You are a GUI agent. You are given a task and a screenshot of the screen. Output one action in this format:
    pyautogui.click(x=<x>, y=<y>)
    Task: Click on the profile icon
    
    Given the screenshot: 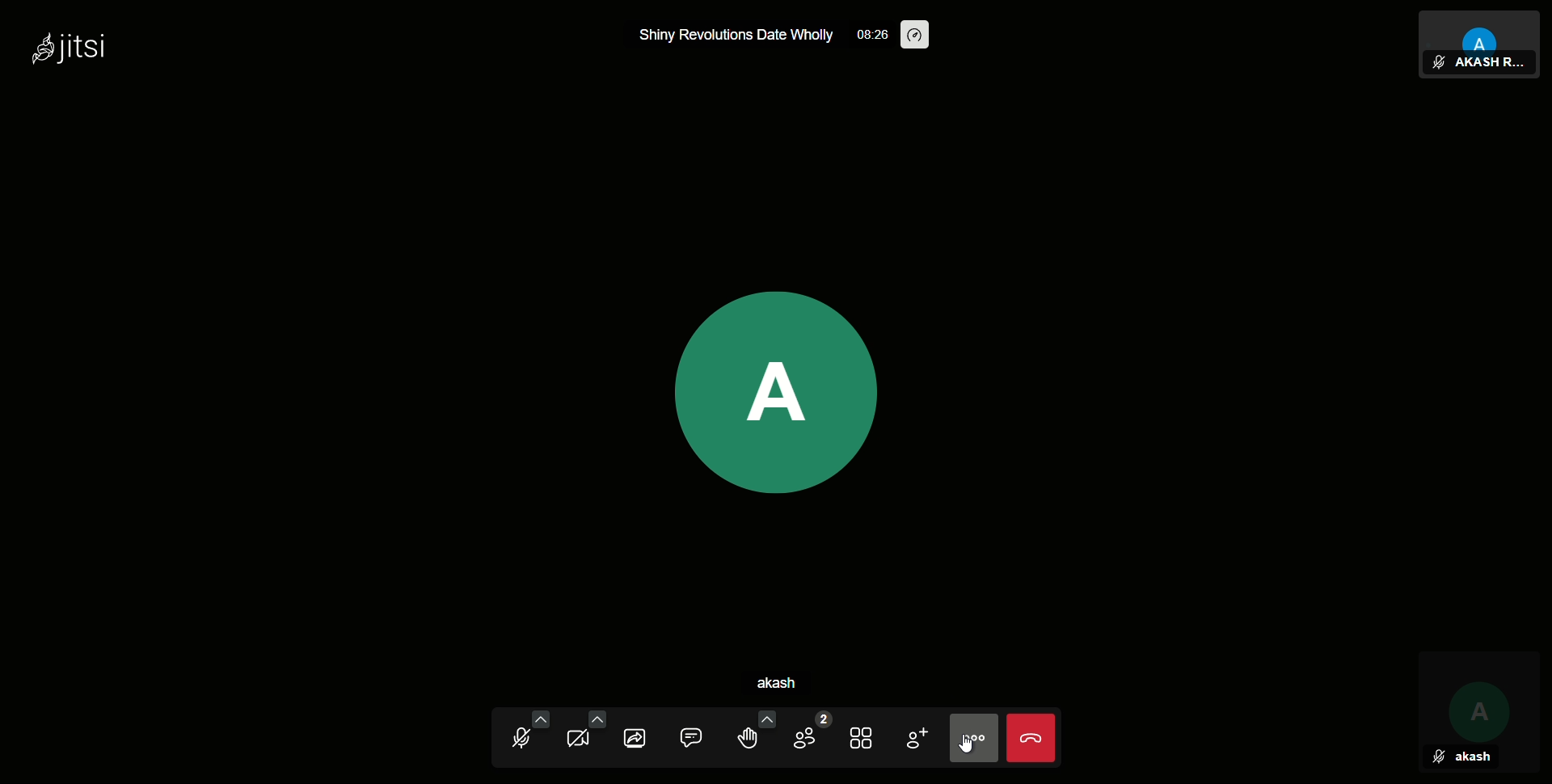 What is the action you would take?
    pyautogui.click(x=775, y=391)
    